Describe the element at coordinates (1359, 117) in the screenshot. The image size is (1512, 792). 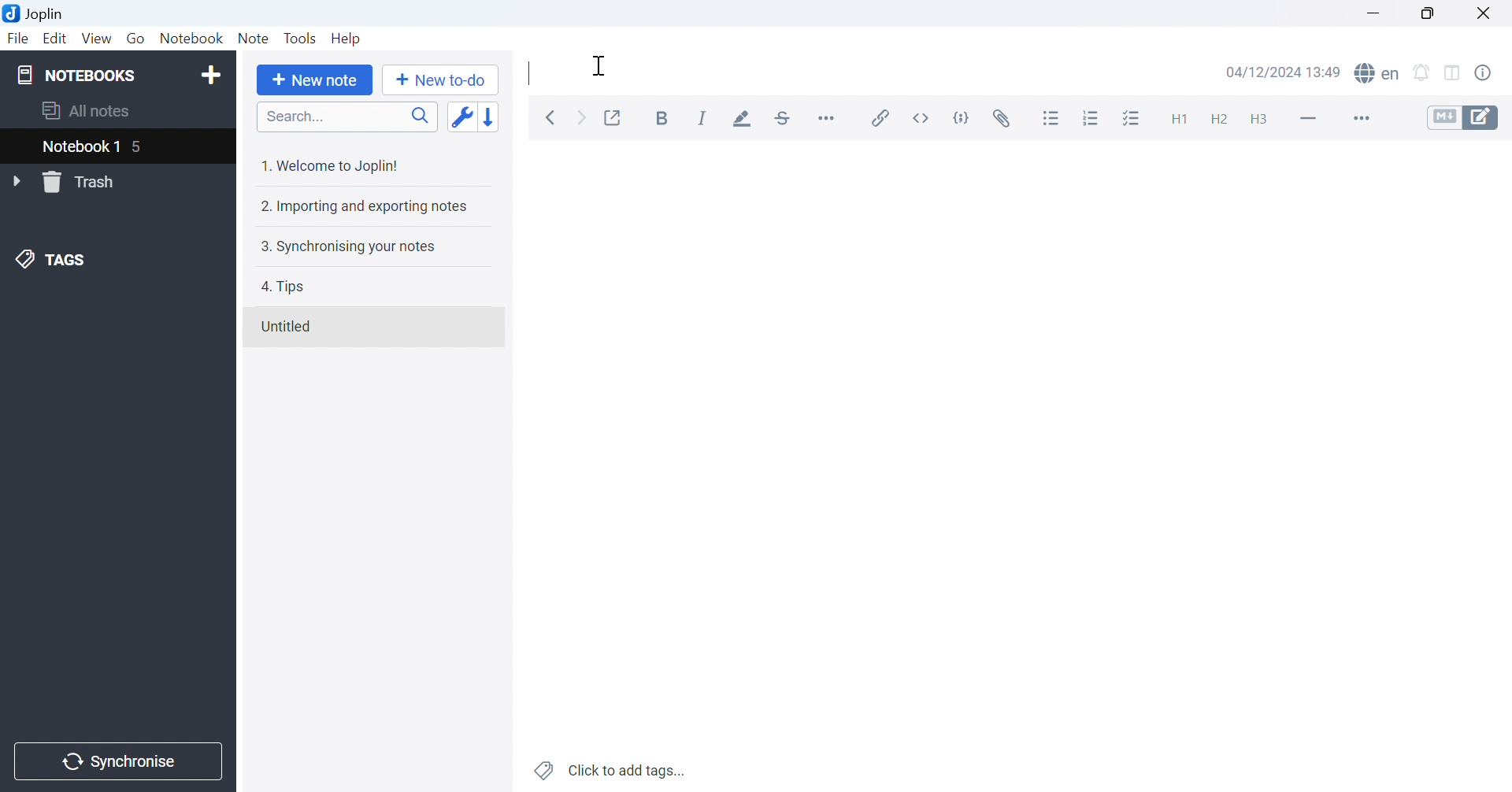
I see `More` at that location.